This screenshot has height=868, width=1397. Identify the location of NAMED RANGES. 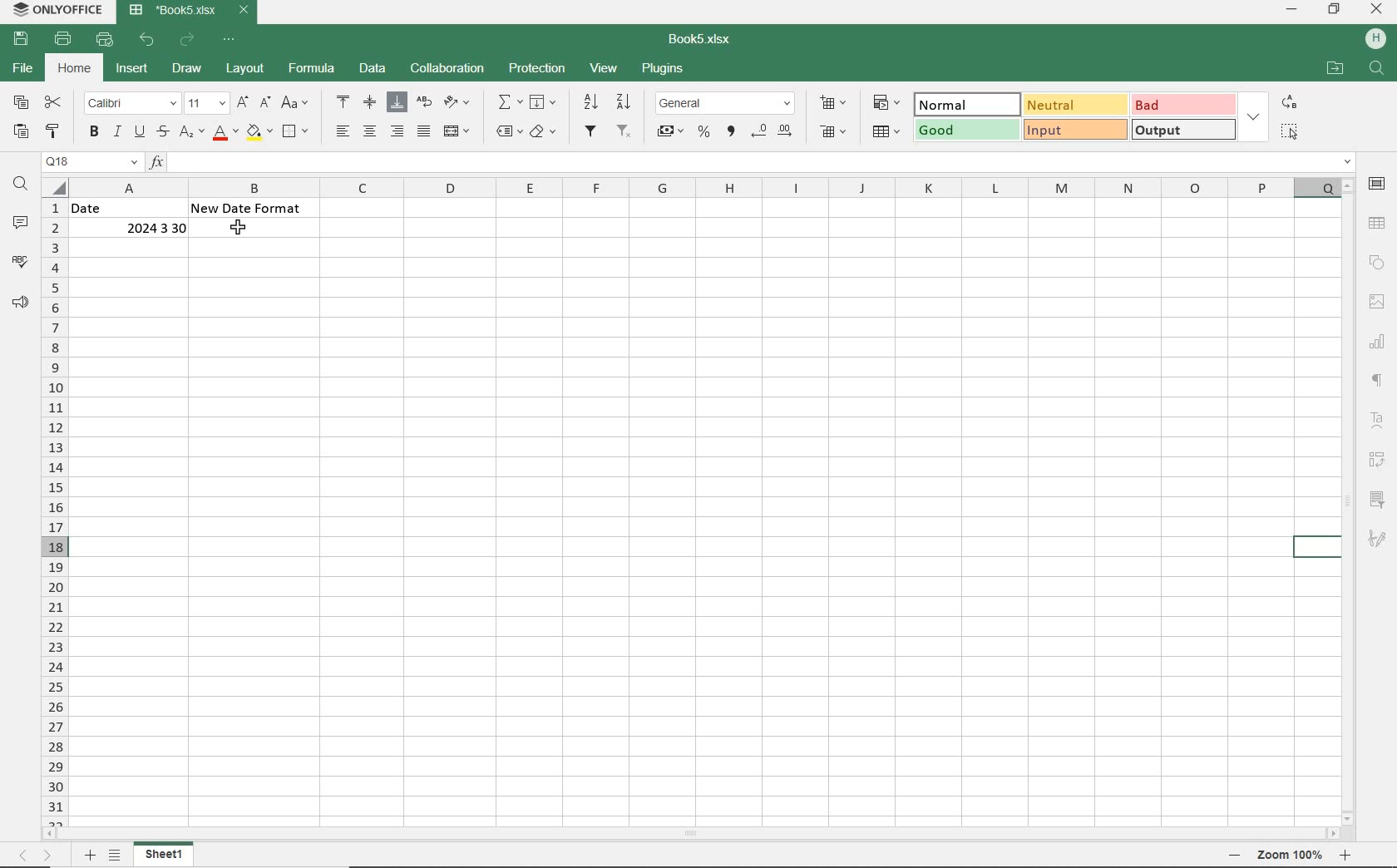
(505, 131).